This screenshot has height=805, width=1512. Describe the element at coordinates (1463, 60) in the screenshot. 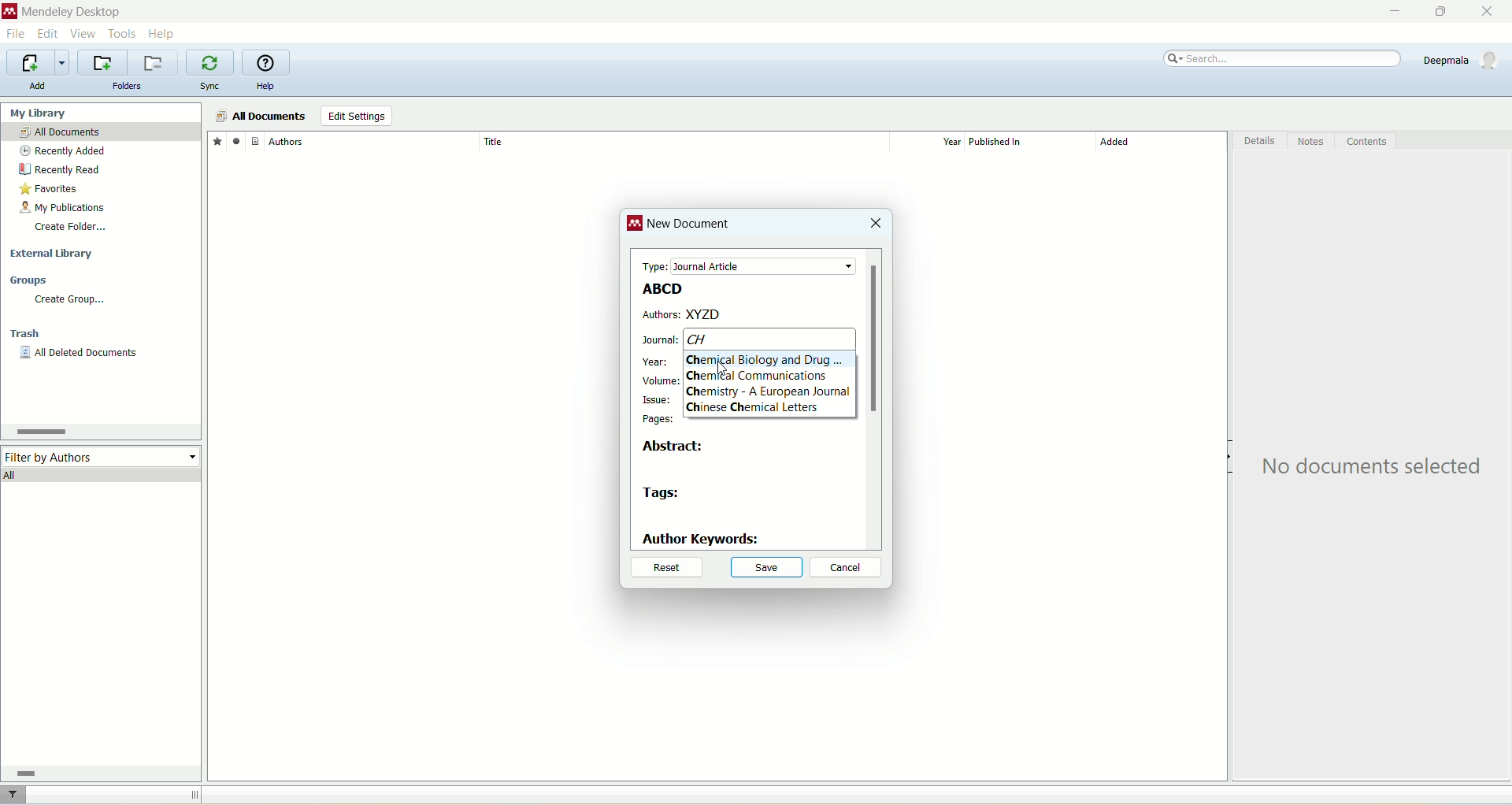

I see `account` at that location.